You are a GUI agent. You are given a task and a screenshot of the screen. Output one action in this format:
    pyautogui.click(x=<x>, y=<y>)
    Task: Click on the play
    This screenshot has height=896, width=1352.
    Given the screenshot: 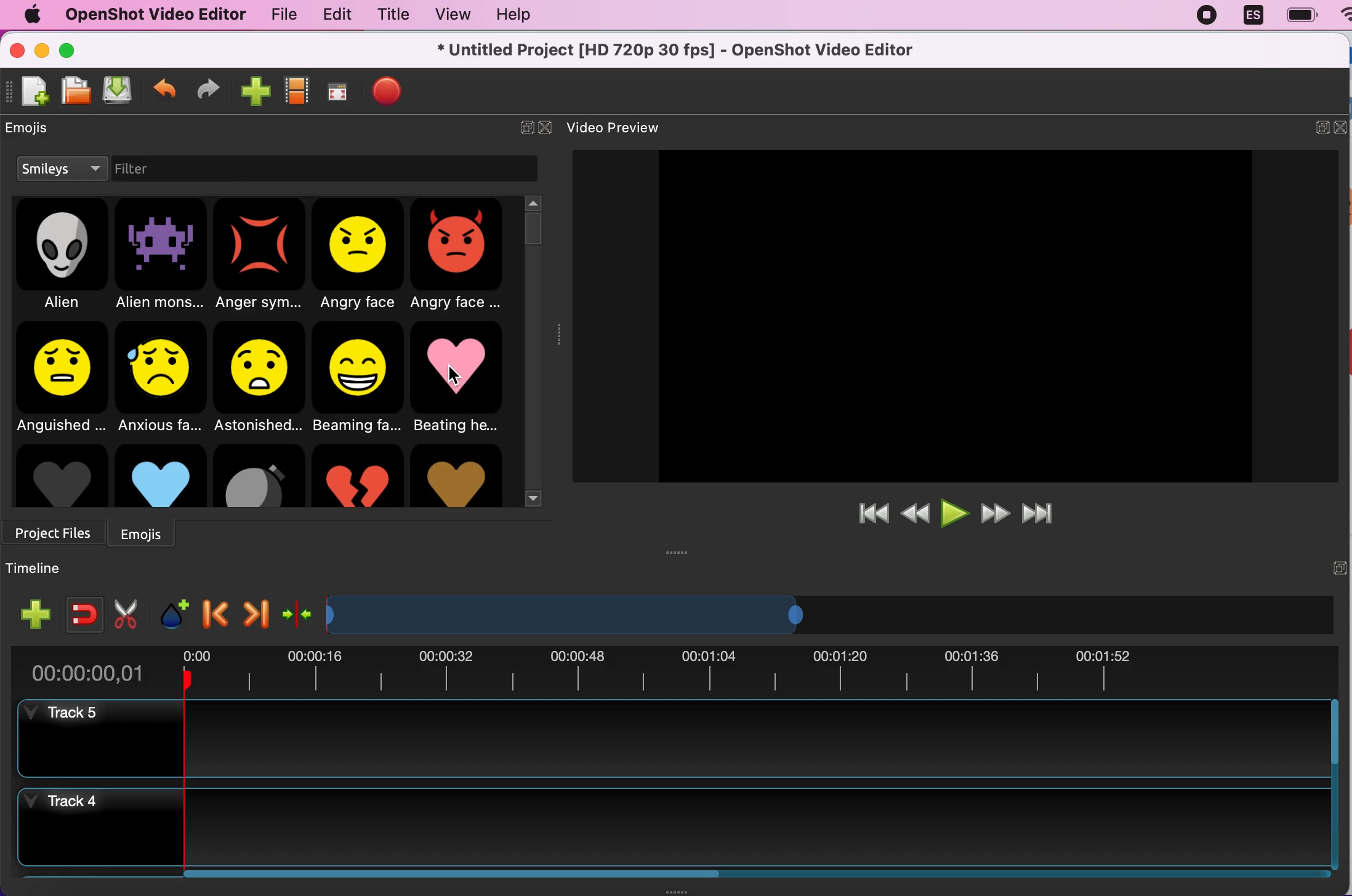 What is the action you would take?
    pyautogui.click(x=956, y=511)
    